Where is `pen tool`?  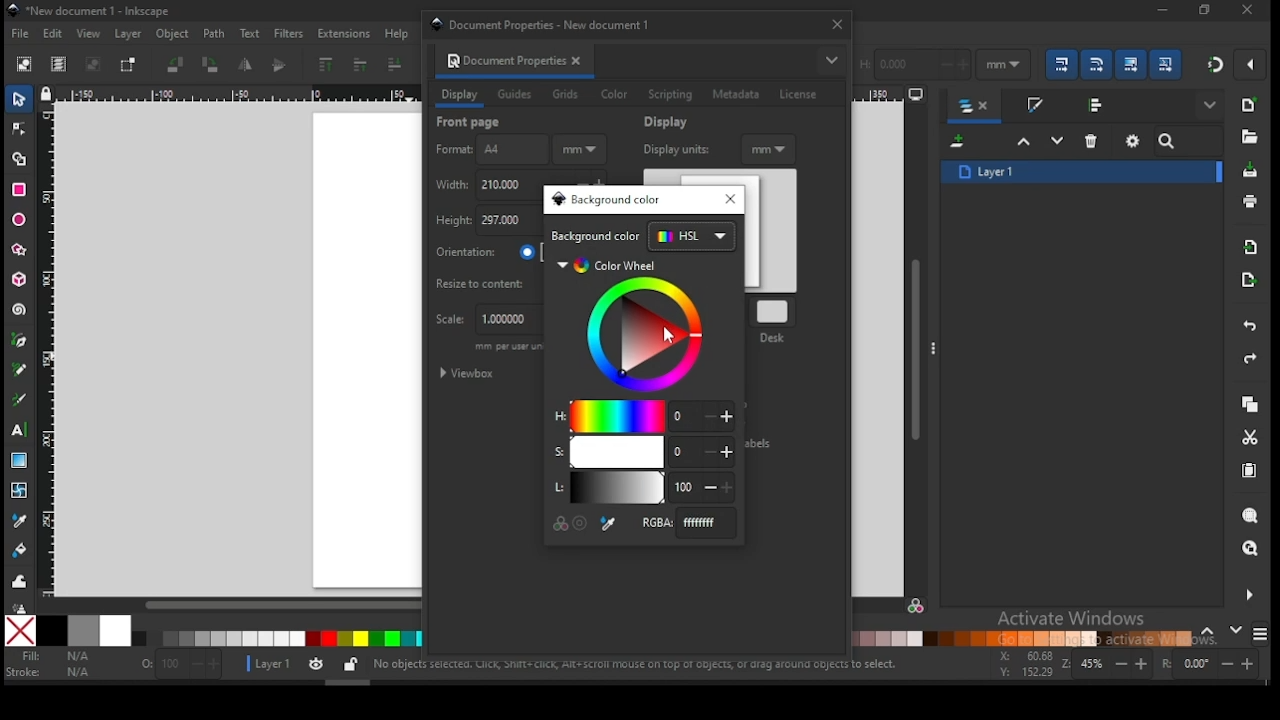
pen tool is located at coordinates (20, 341).